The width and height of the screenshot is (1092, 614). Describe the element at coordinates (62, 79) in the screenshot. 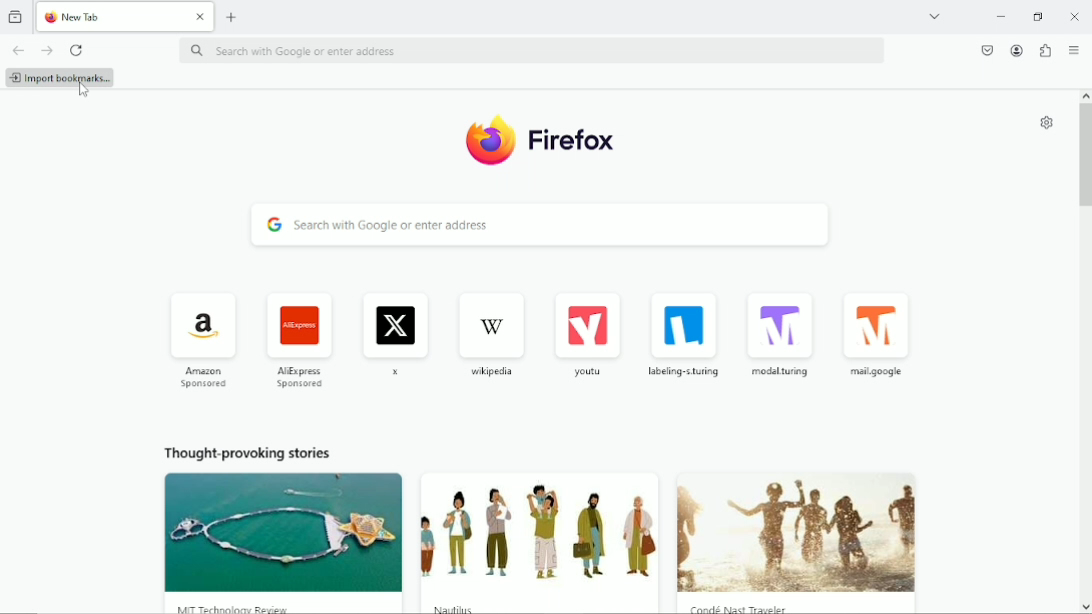

I see `Import bookmarks` at that location.